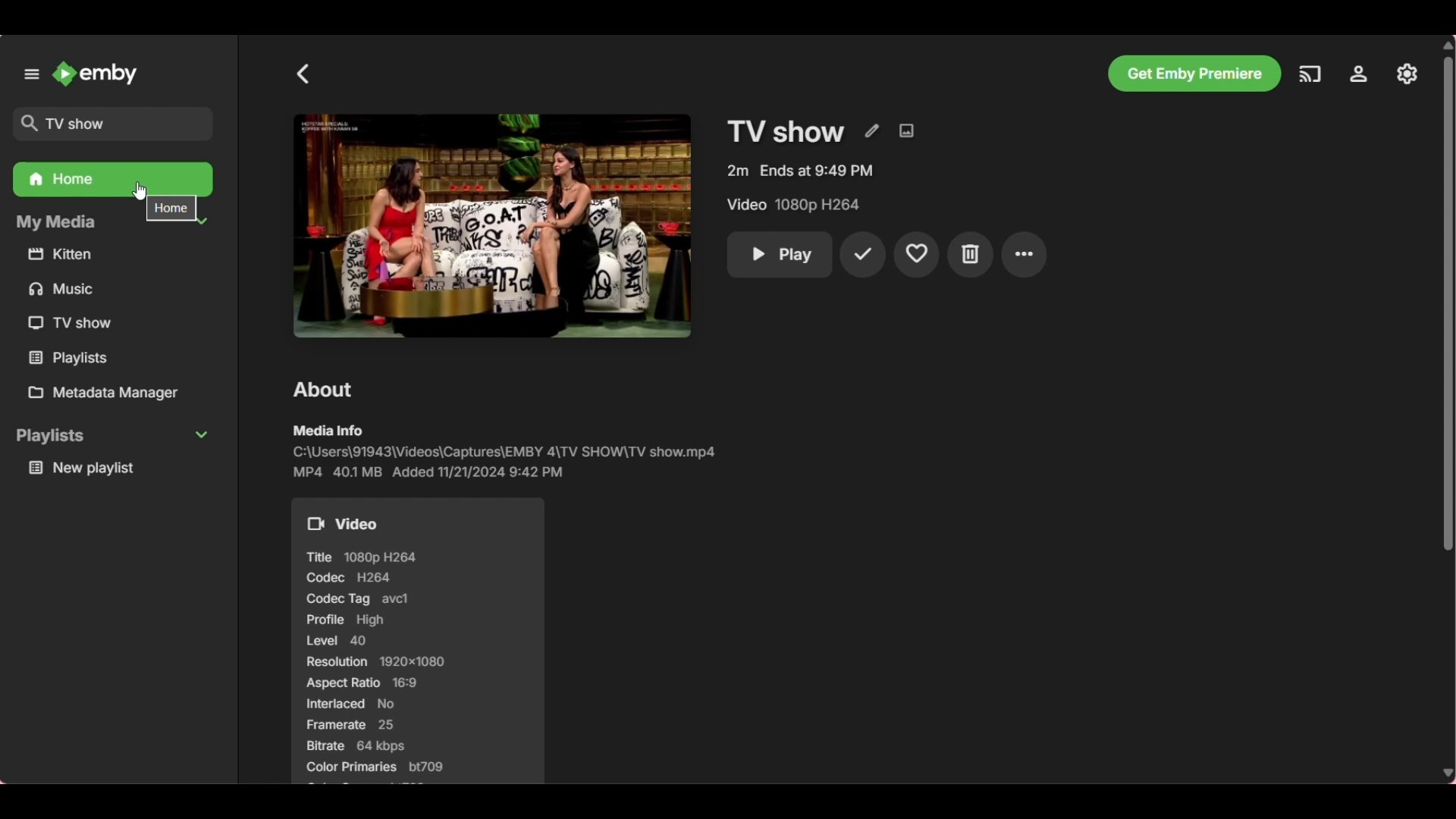 The width and height of the screenshot is (1456, 819). What do you see at coordinates (411, 521) in the screenshot?
I see `Video` at bounding box center [411, 521].